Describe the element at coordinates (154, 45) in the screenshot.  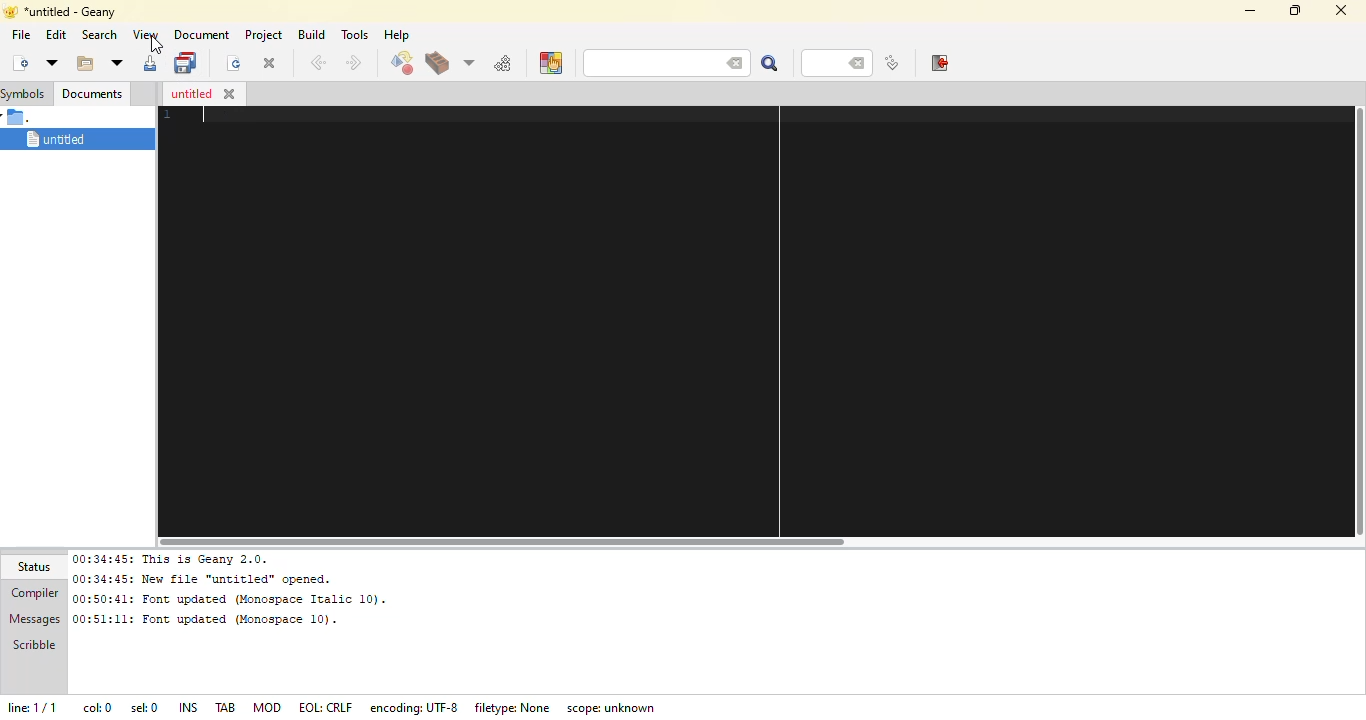
I see `cursor` at that location.